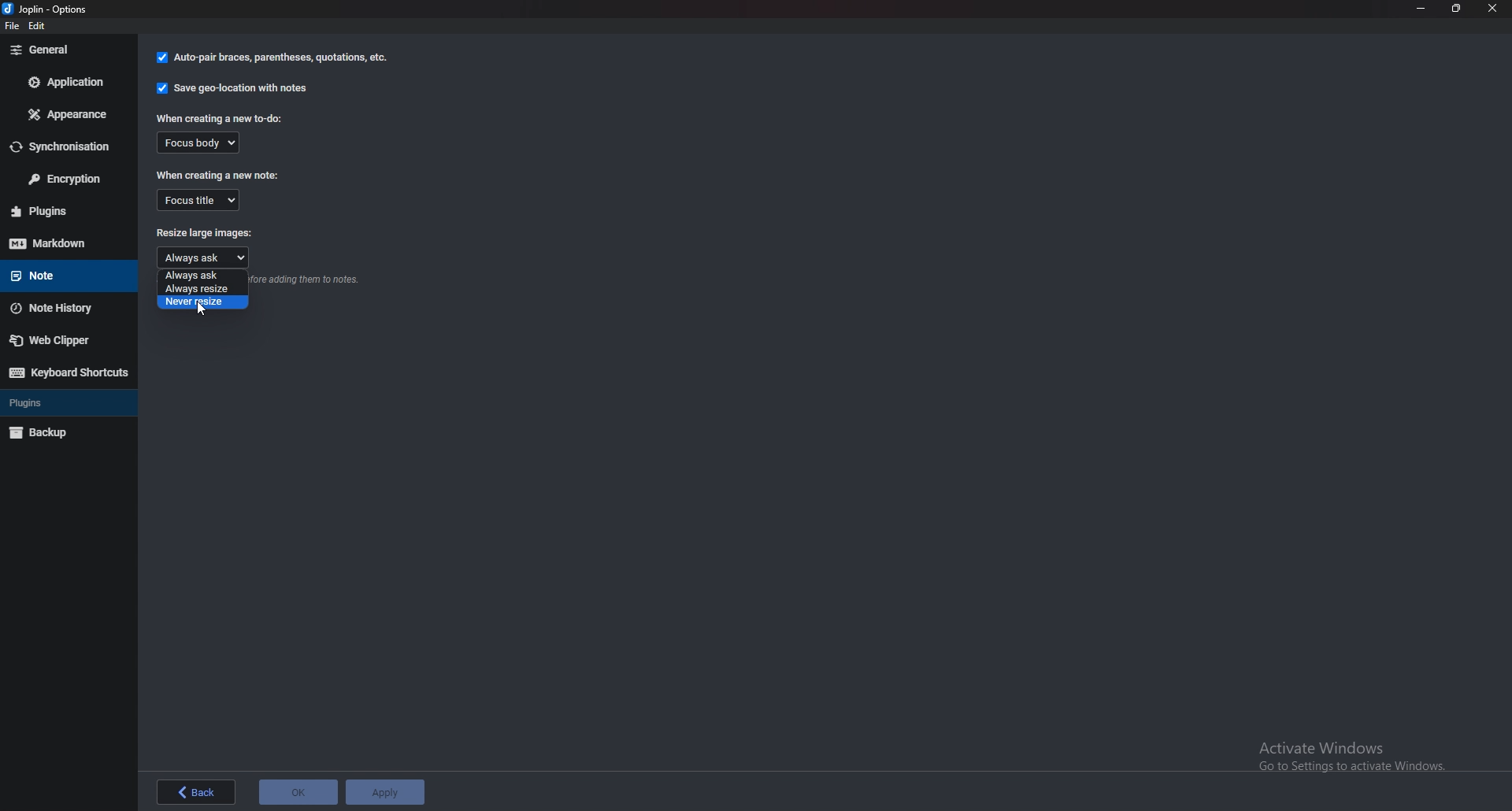 This screenshot has width=1512, height=811. I want to click on back, so click(191, 792).